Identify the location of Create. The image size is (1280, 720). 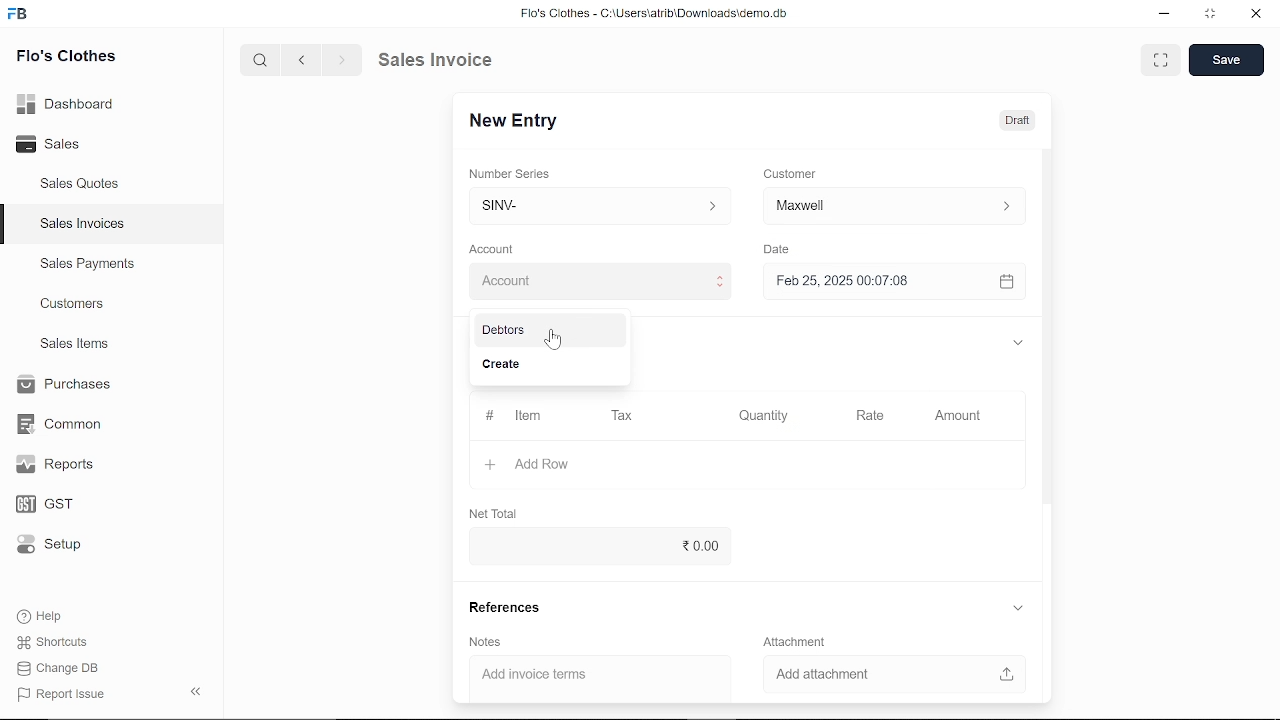
(547, 366).